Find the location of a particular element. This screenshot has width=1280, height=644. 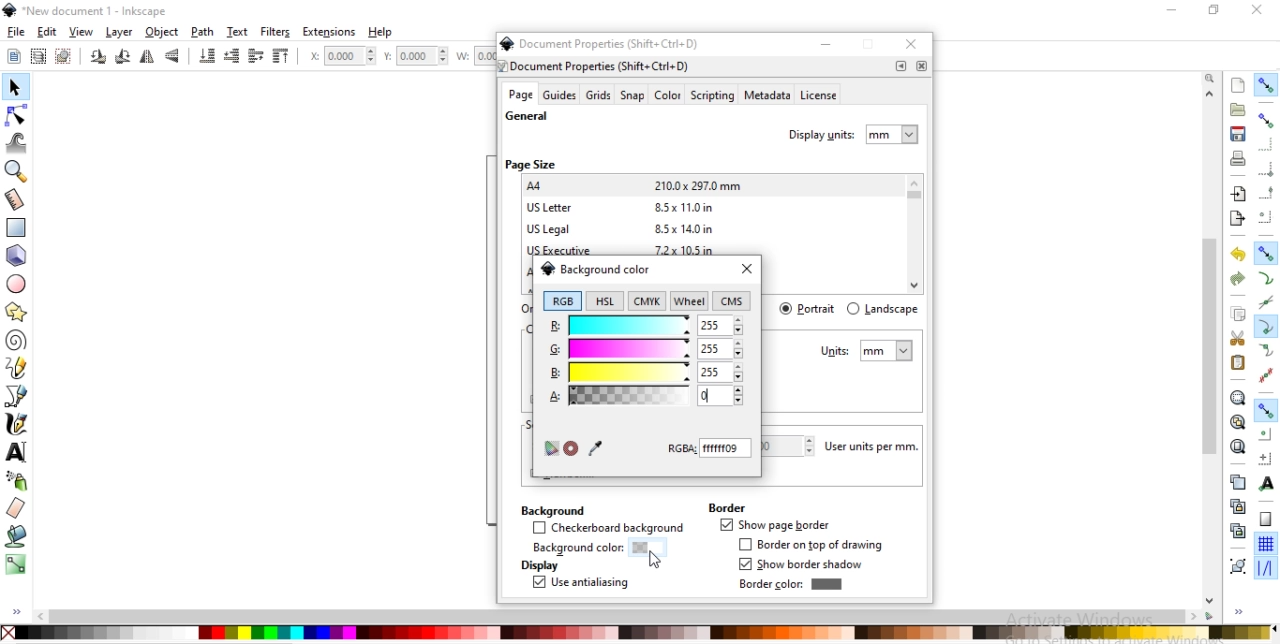

cut a selected clone is located at coordinates (1236, 533).